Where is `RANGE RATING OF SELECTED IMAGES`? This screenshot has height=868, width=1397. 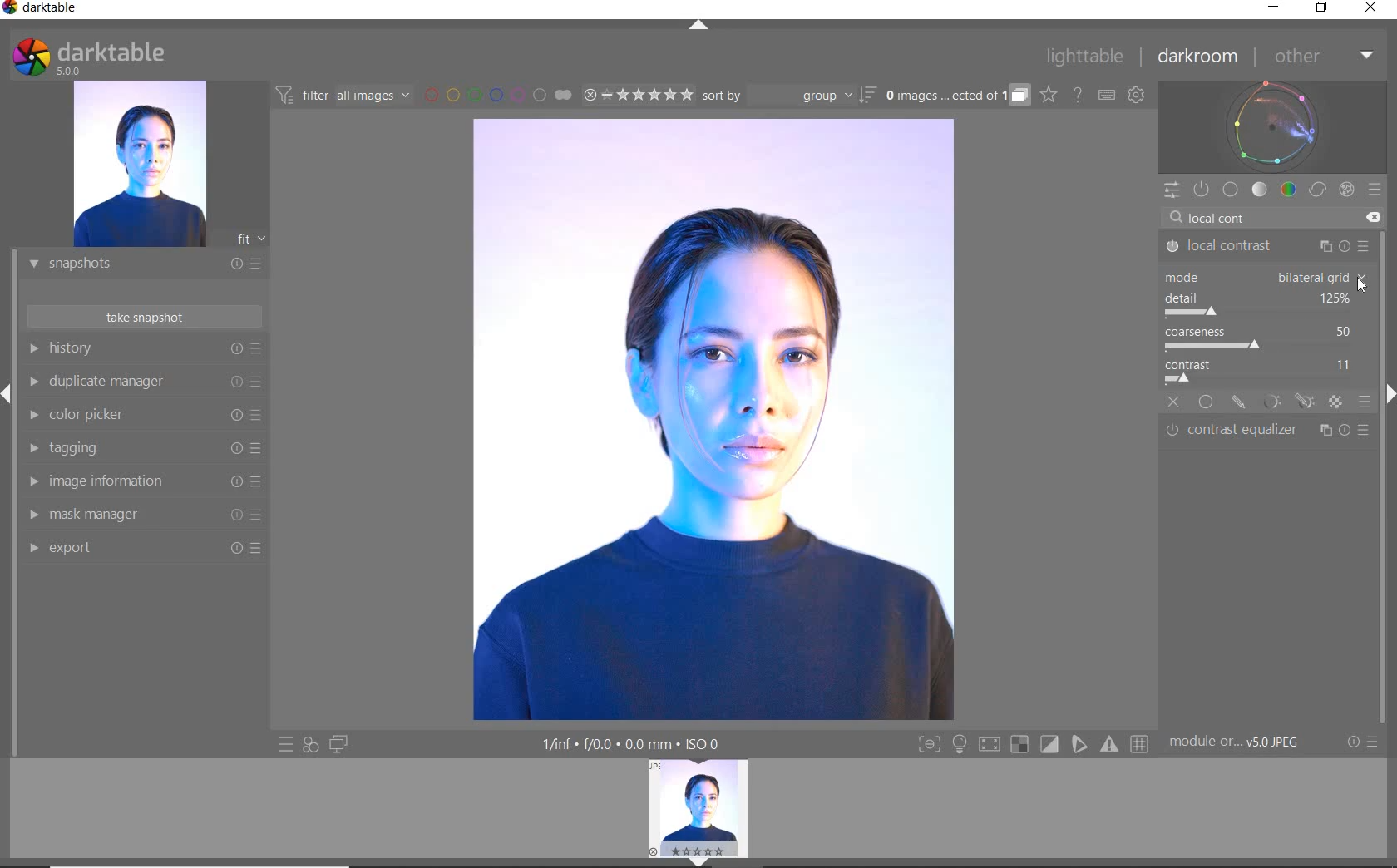
RANGE RATING OF SELECTED IMAGES is located at coordinates (637, 94).